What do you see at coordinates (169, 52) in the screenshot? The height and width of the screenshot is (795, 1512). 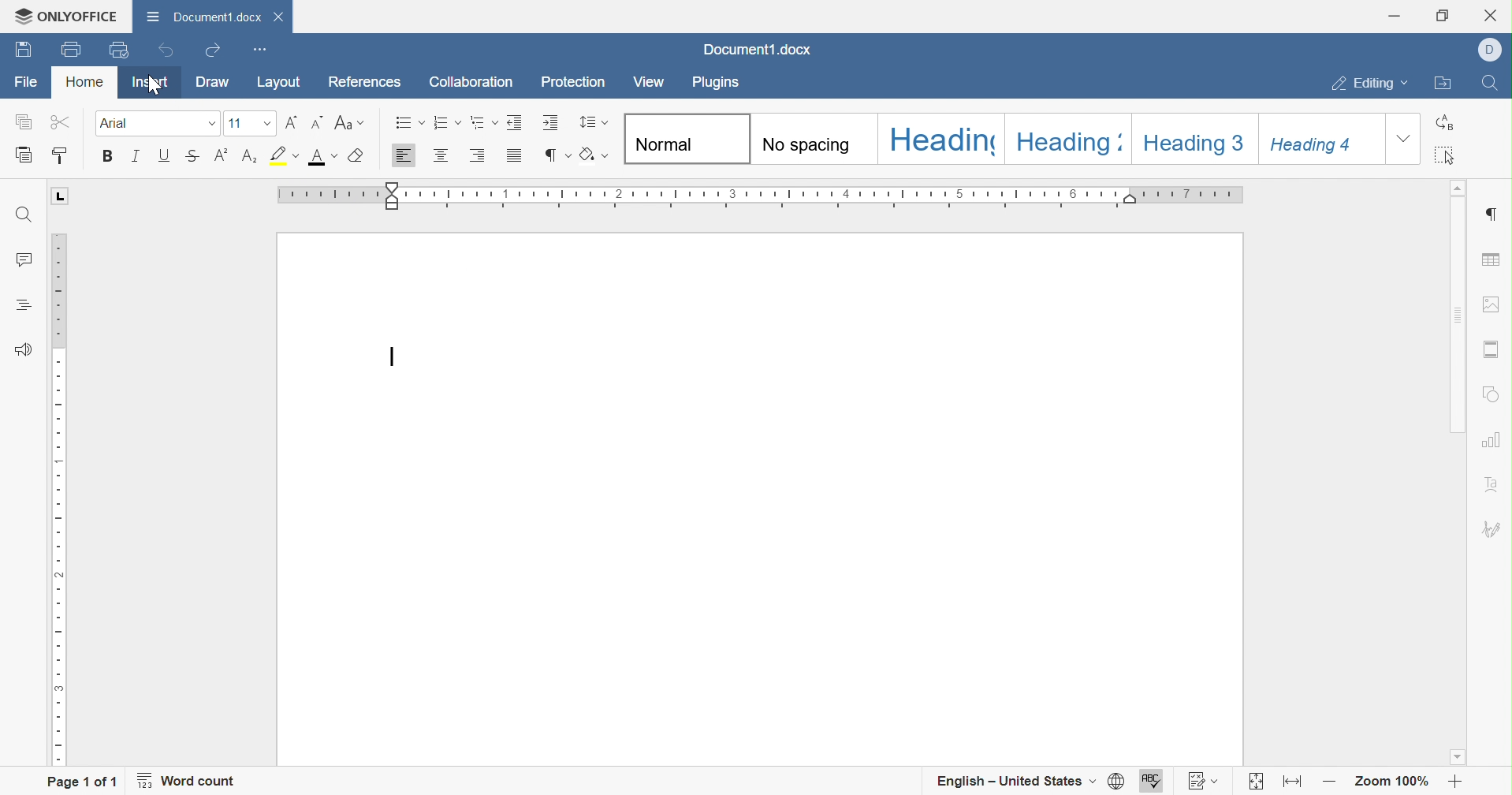 I see `Undo` at bounding box center [169, 52].